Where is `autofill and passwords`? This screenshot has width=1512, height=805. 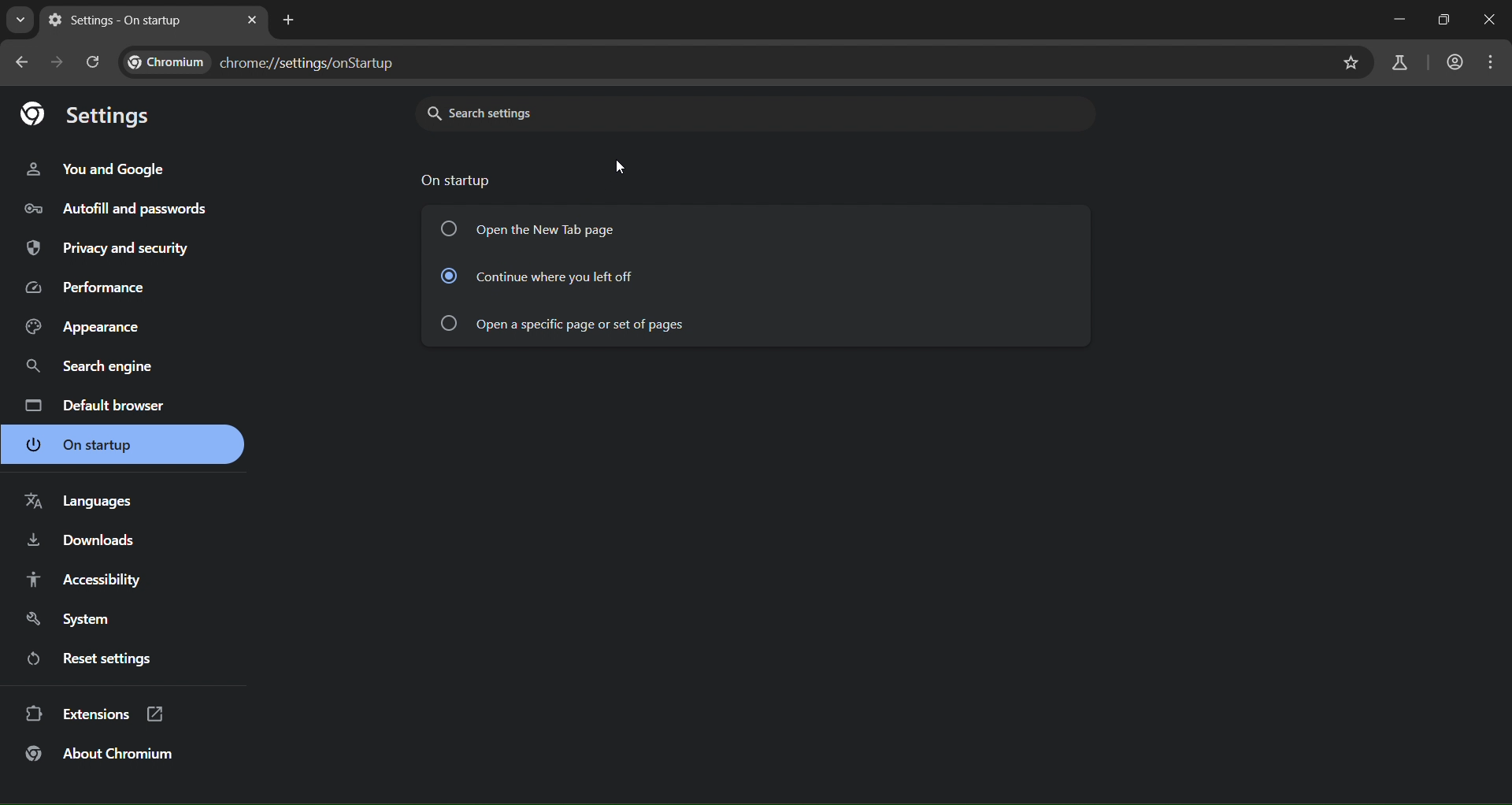
autofill and passwords is located at coordinates (126, 210).